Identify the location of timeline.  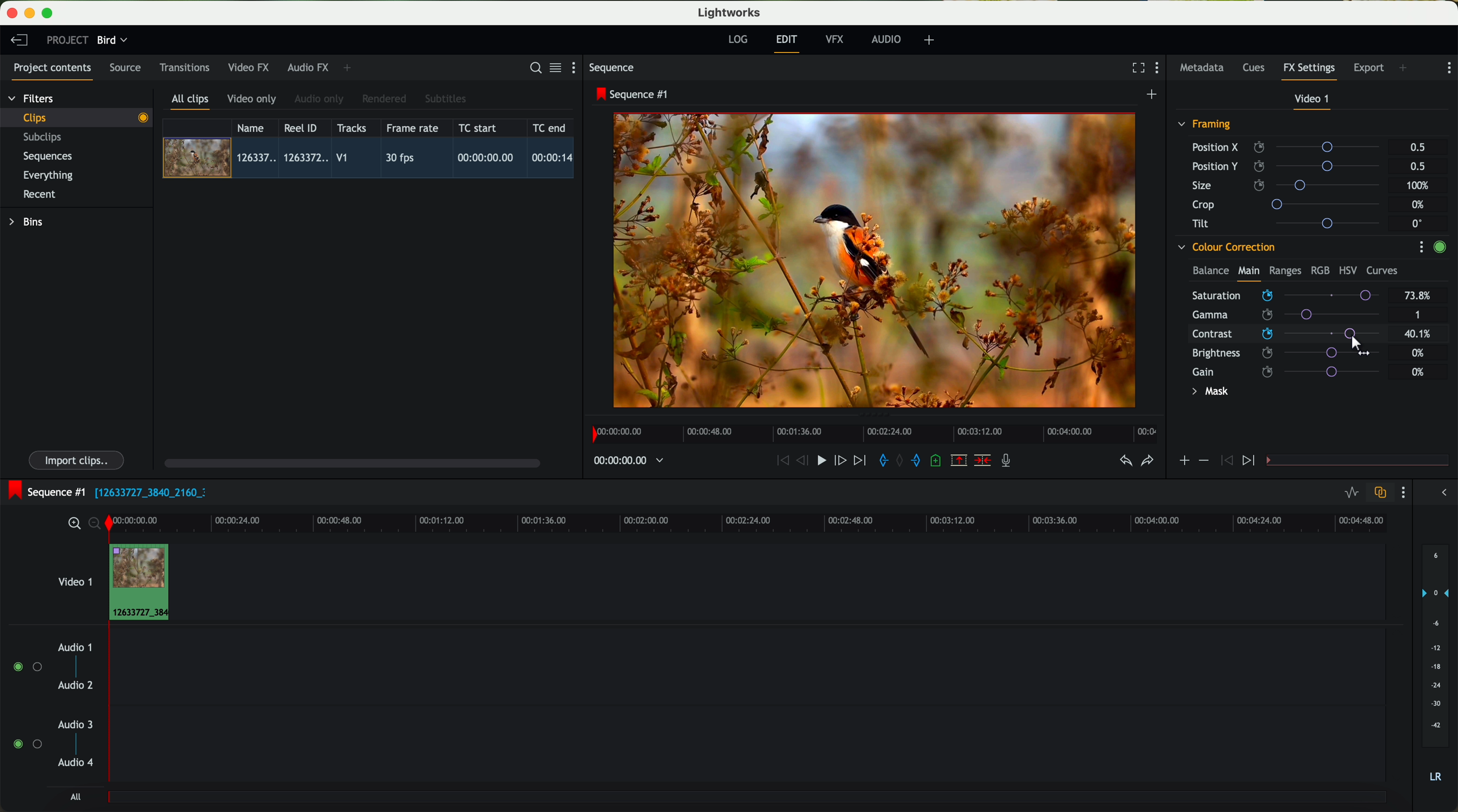
(623, 461).